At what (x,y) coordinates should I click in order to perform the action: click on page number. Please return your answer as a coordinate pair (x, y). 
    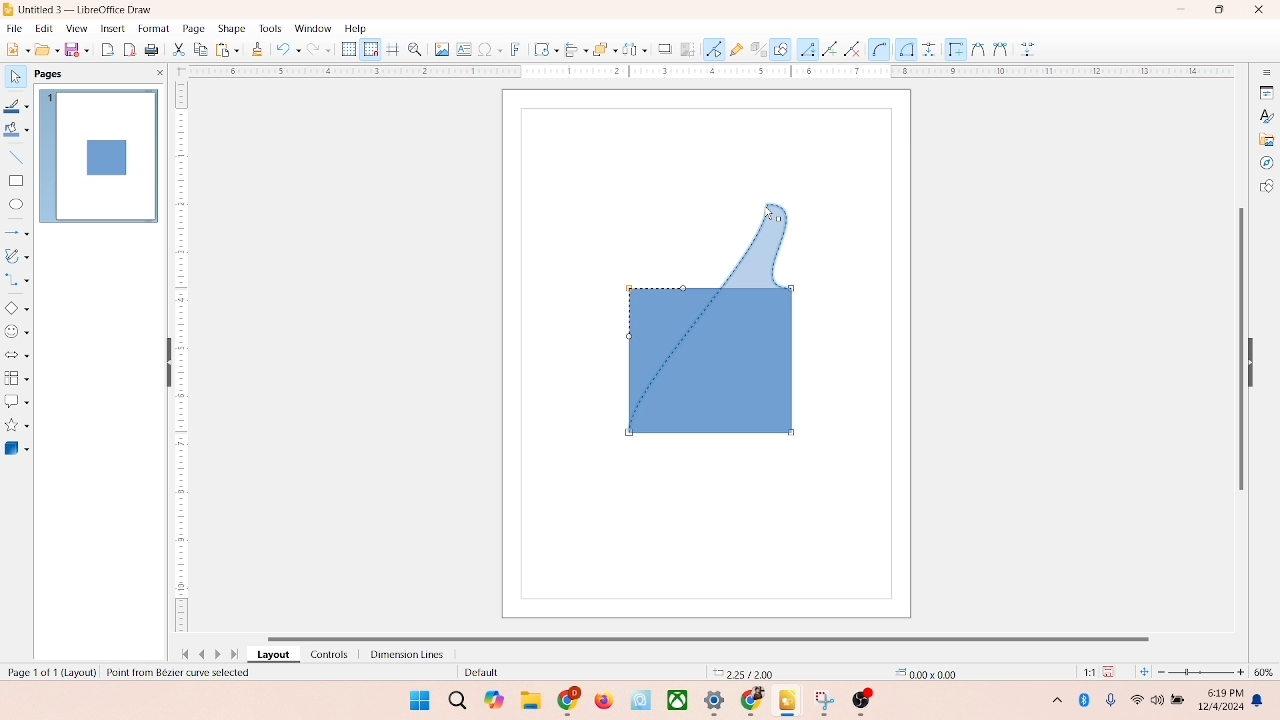
    Looking at the image, I should click on (49, 671).